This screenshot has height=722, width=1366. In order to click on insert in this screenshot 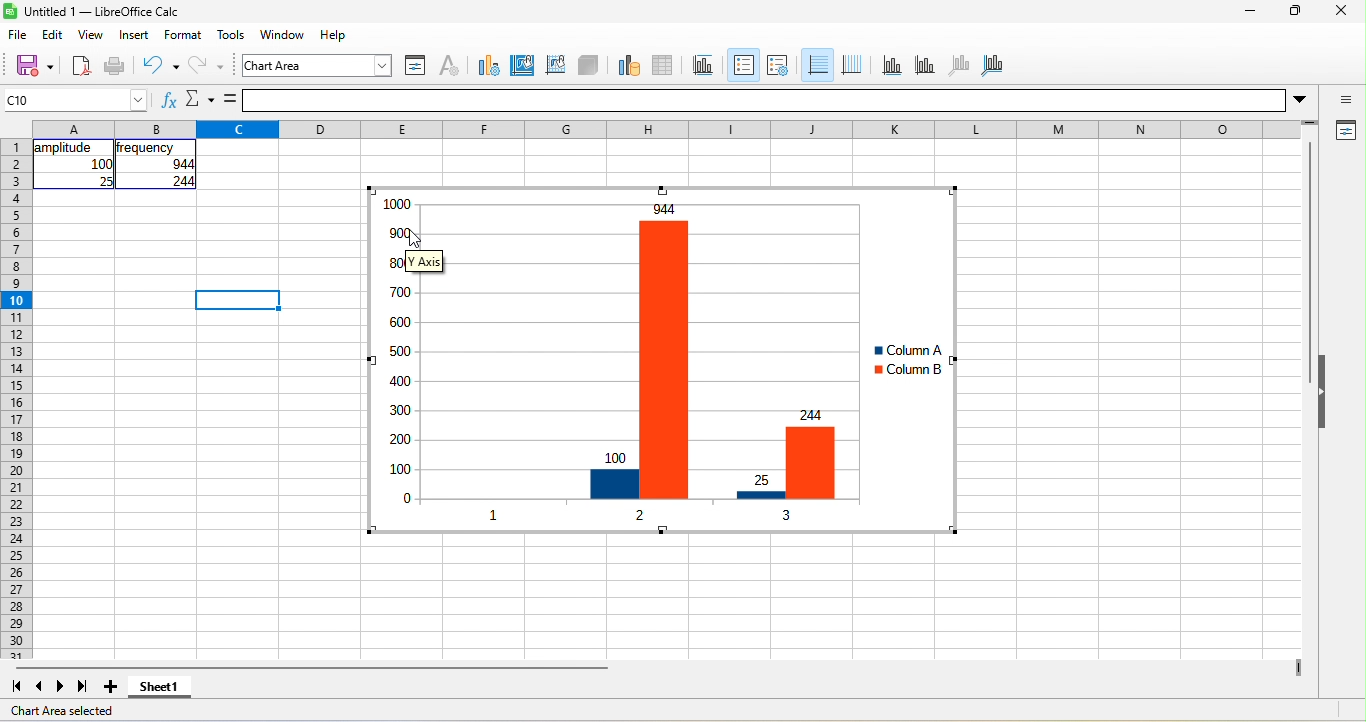, I will do `click(134, 35)`.